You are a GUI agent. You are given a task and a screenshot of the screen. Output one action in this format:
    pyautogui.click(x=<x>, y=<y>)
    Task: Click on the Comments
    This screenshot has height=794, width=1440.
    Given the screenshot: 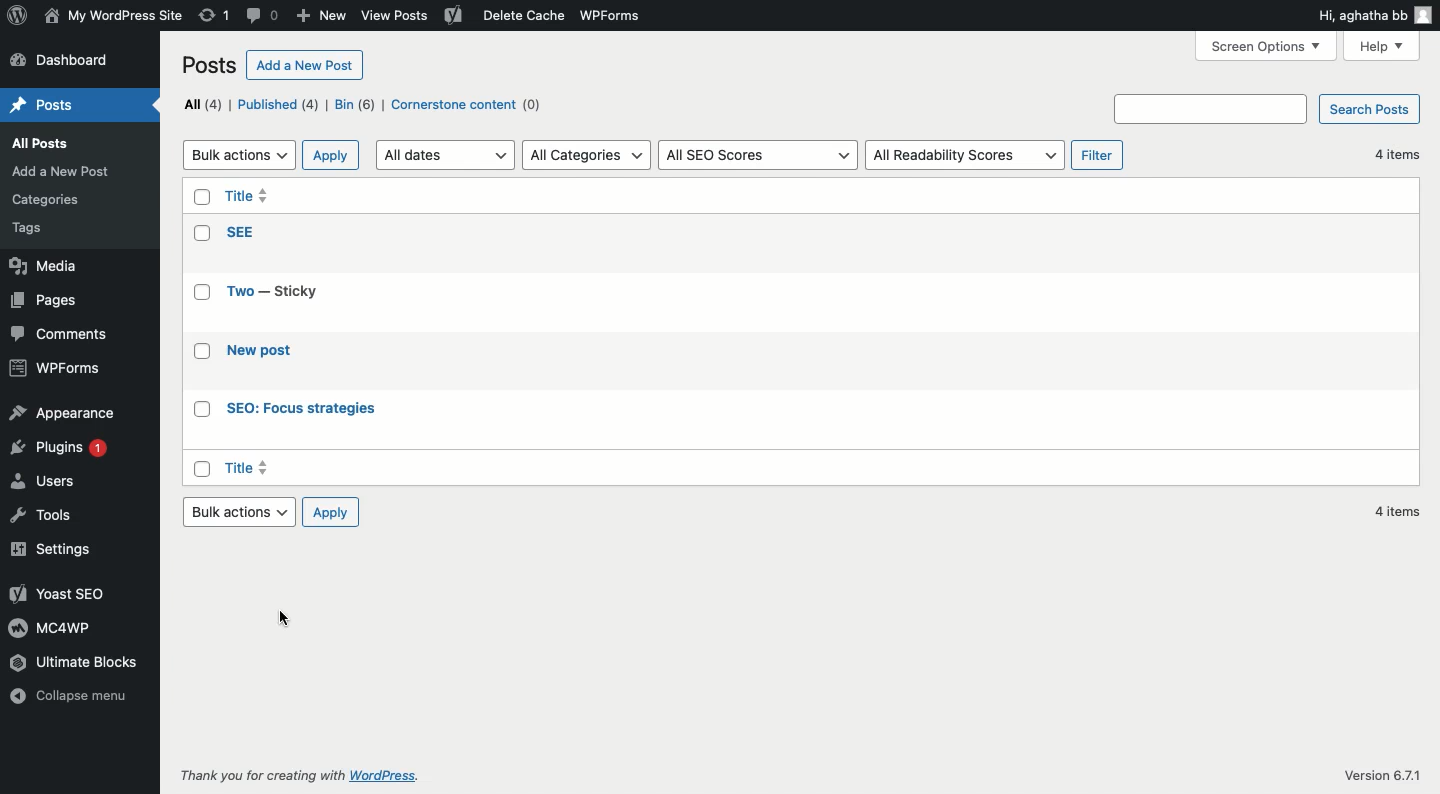 What is the action you would take?
    pyautogui.click(x=63, y=334)
    